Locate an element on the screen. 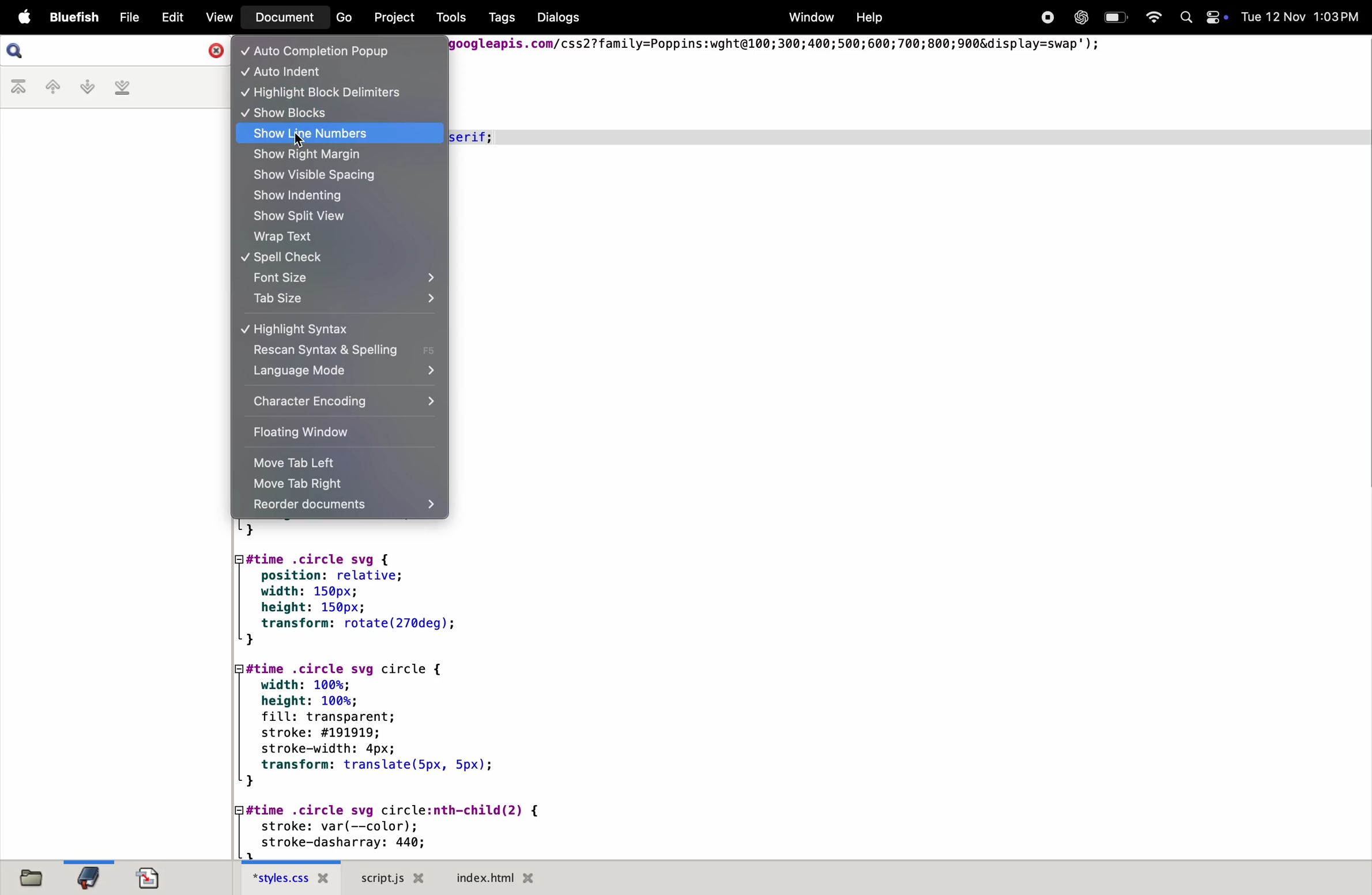  auto completion popup is located at coordinates (340, 51).